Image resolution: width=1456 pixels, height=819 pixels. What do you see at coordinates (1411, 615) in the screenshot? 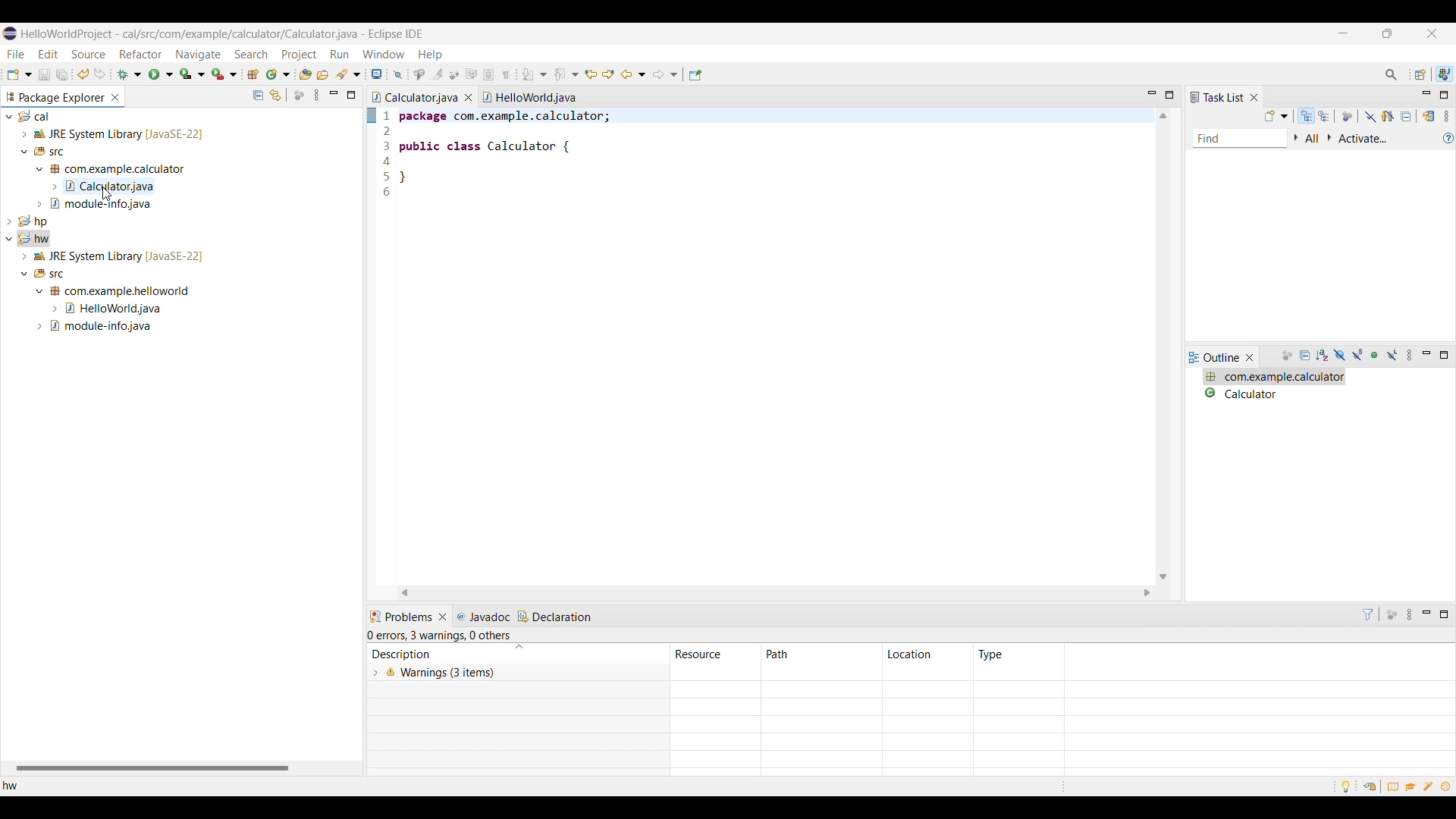
I see `View menu` at bounding box center [1411, 615].